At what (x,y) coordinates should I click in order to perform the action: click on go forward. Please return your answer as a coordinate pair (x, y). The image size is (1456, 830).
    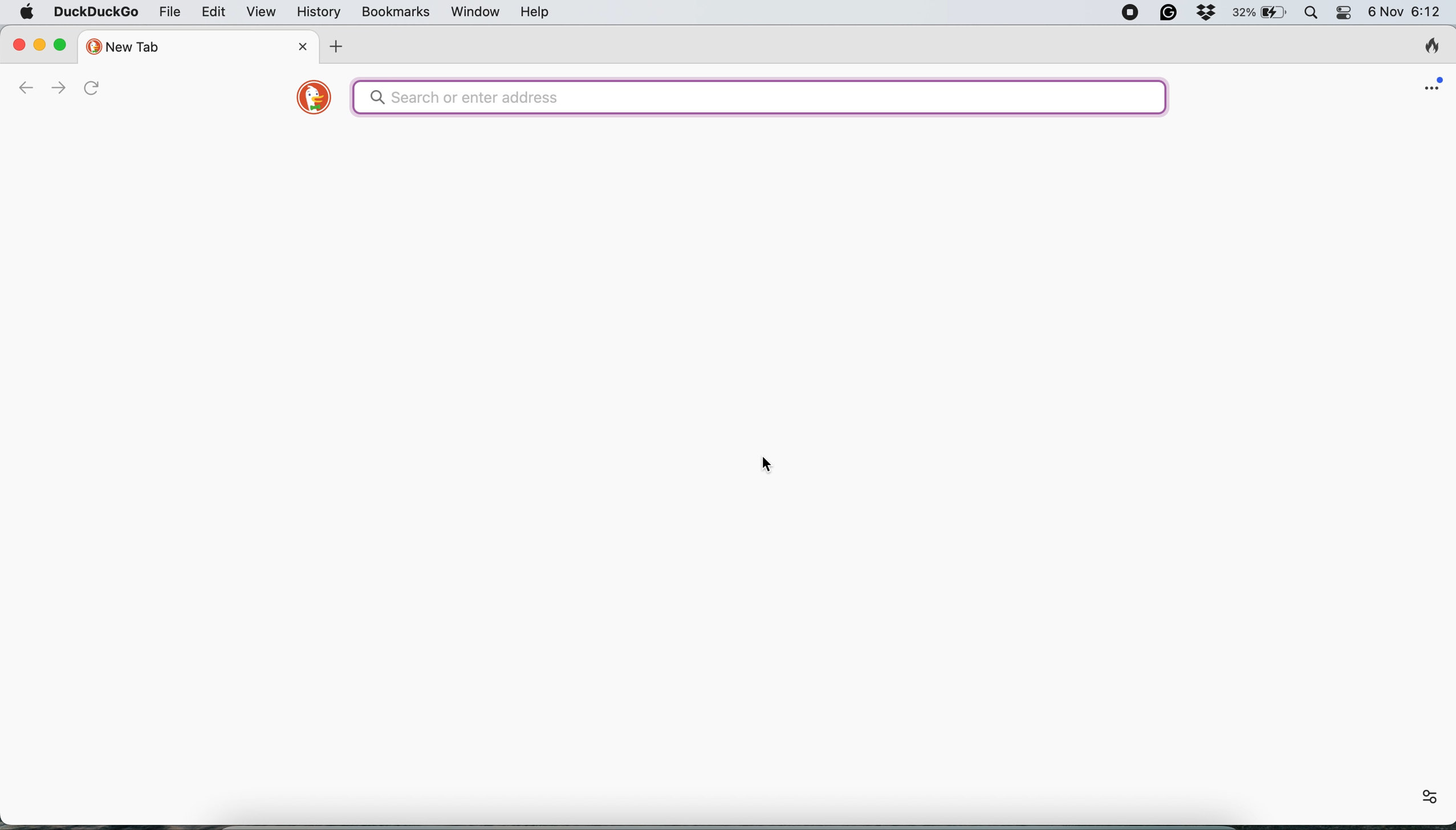
    Looking at the image, I should click on (55, 88).